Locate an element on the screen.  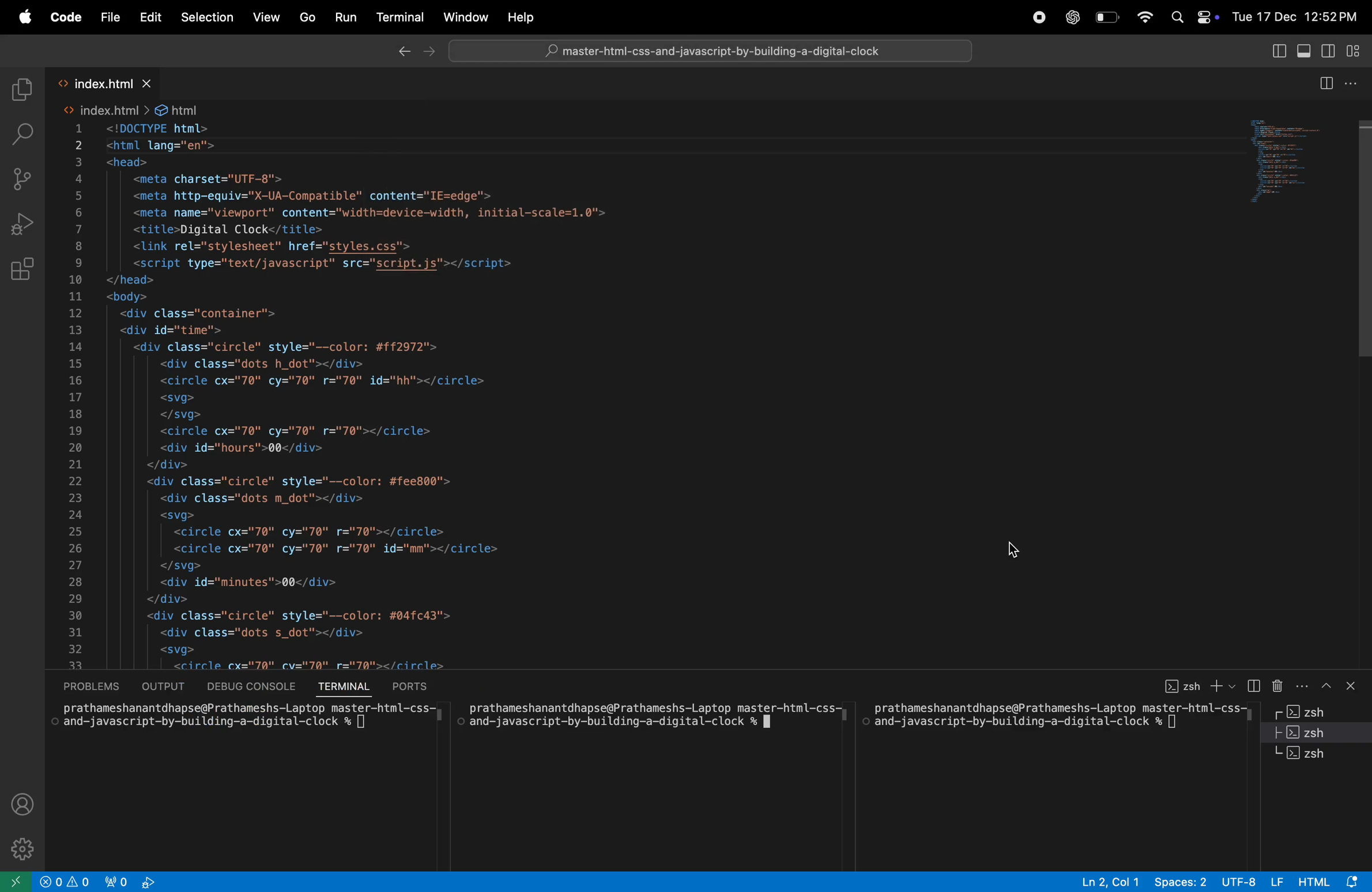
window is located at coordinates (466, 16).